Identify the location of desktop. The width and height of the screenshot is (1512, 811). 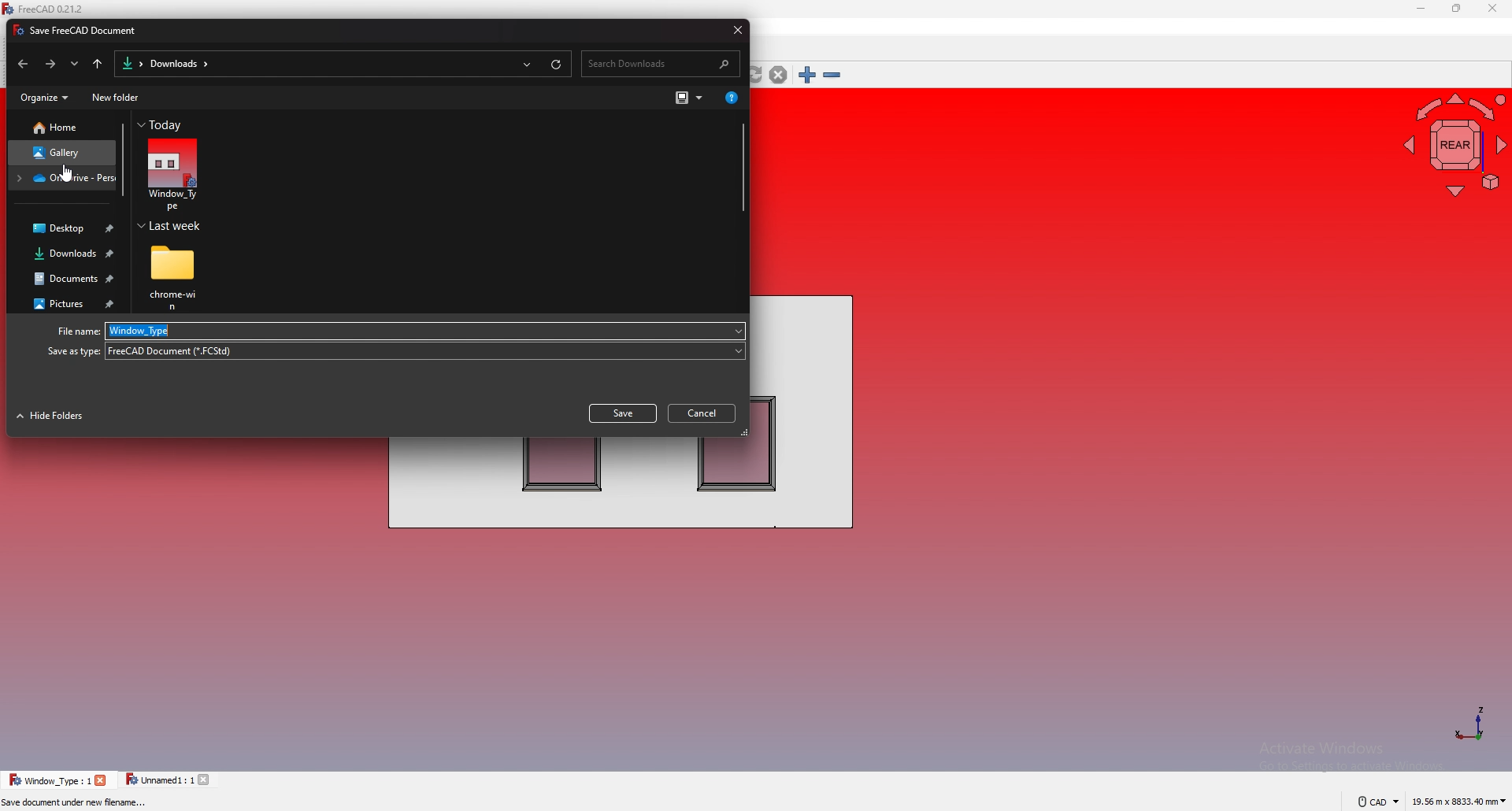
(65, 230).